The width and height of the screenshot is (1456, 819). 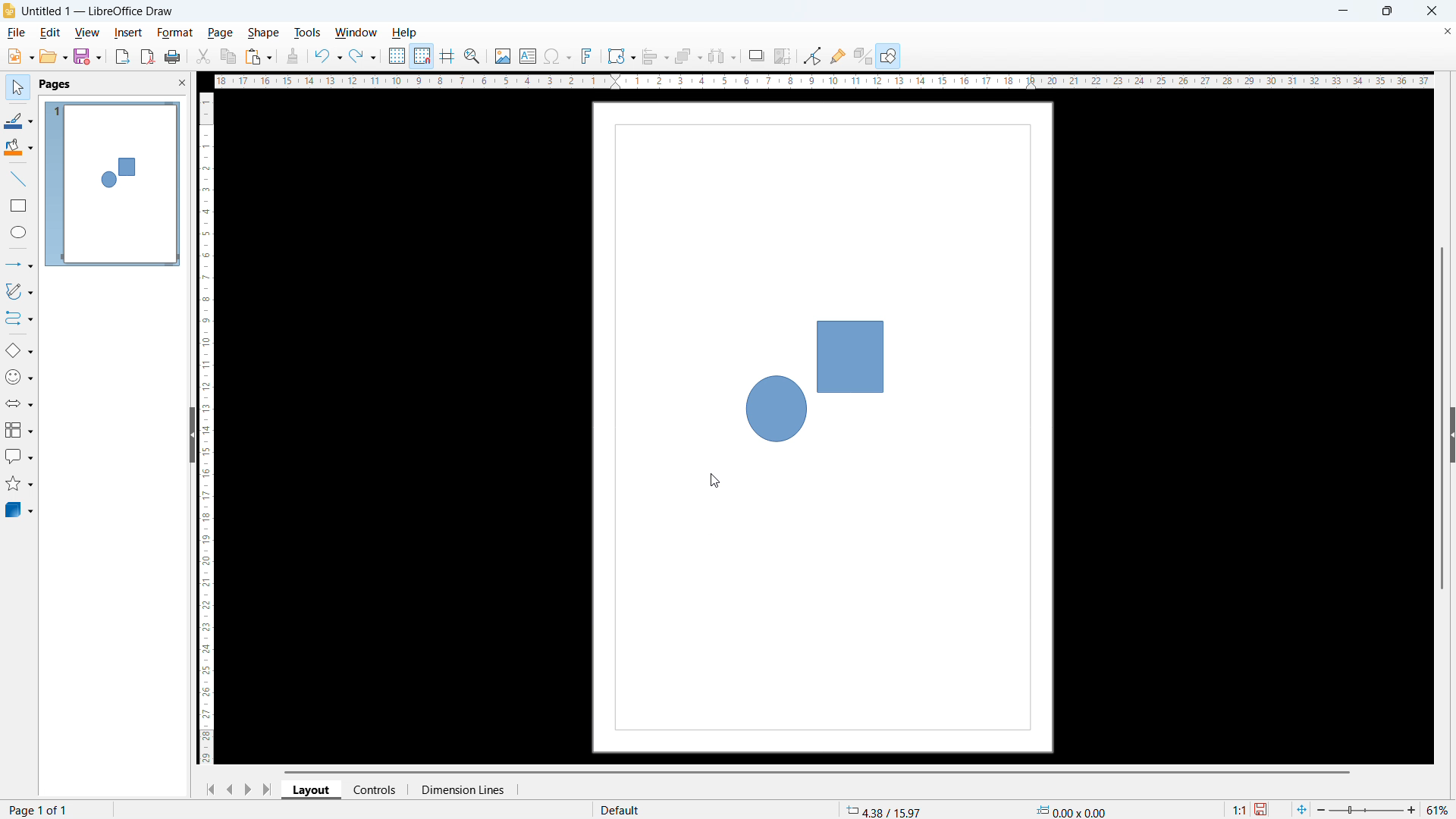 I want to click on toggle extrusion, so click(x=863, y=56).